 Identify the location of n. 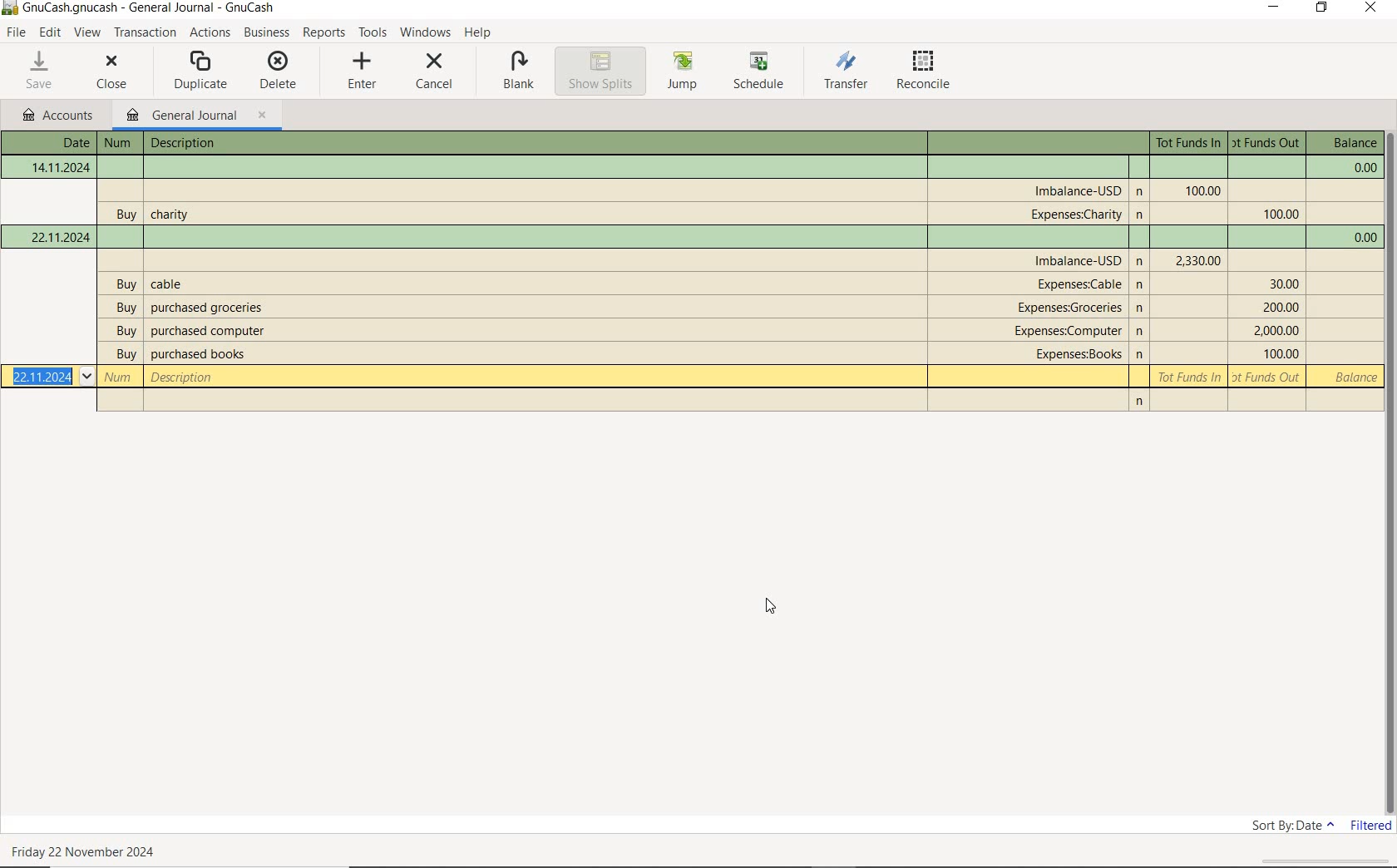
(1142, 353).